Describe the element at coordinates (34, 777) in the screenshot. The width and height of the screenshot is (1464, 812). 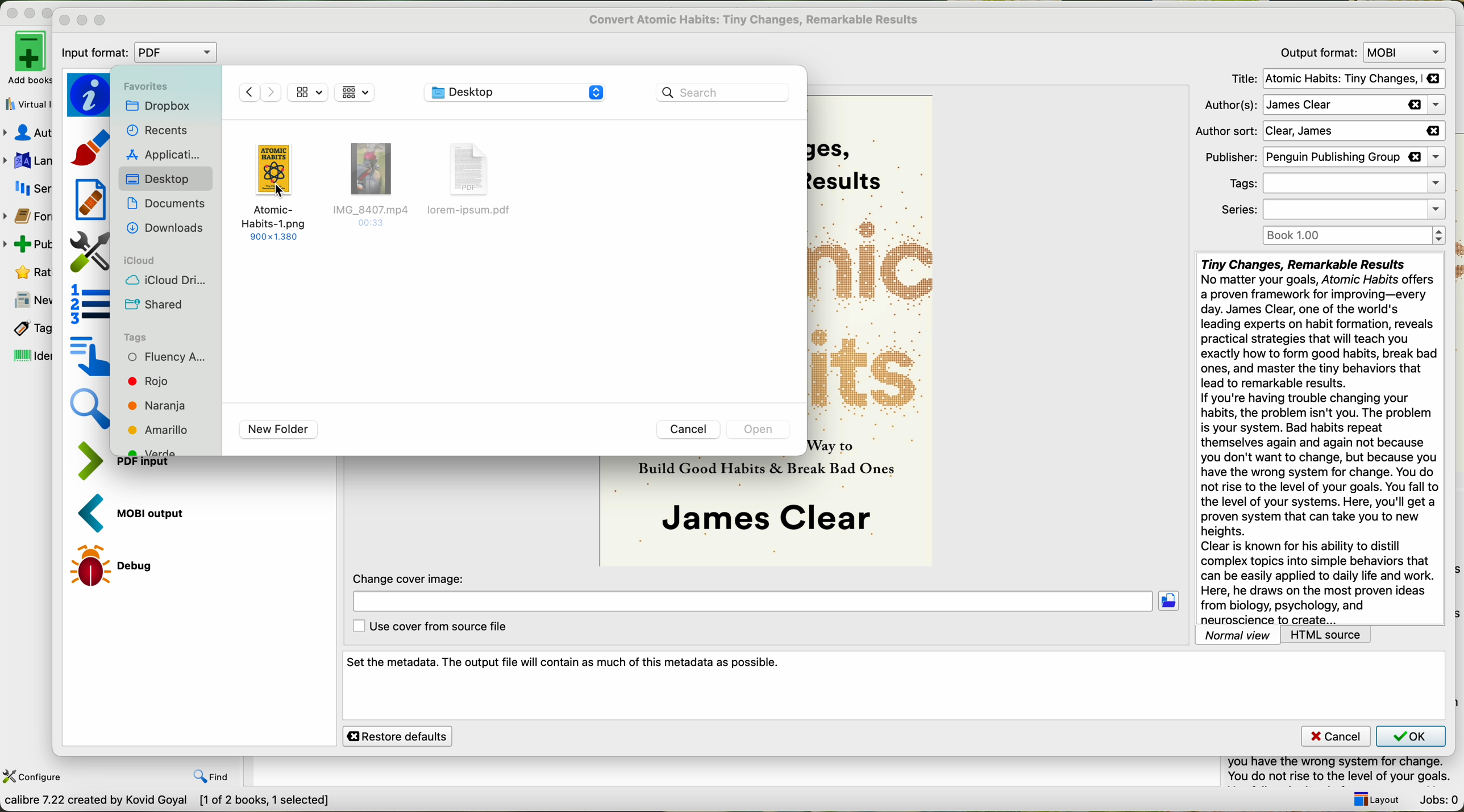
I see `configure` at that location.